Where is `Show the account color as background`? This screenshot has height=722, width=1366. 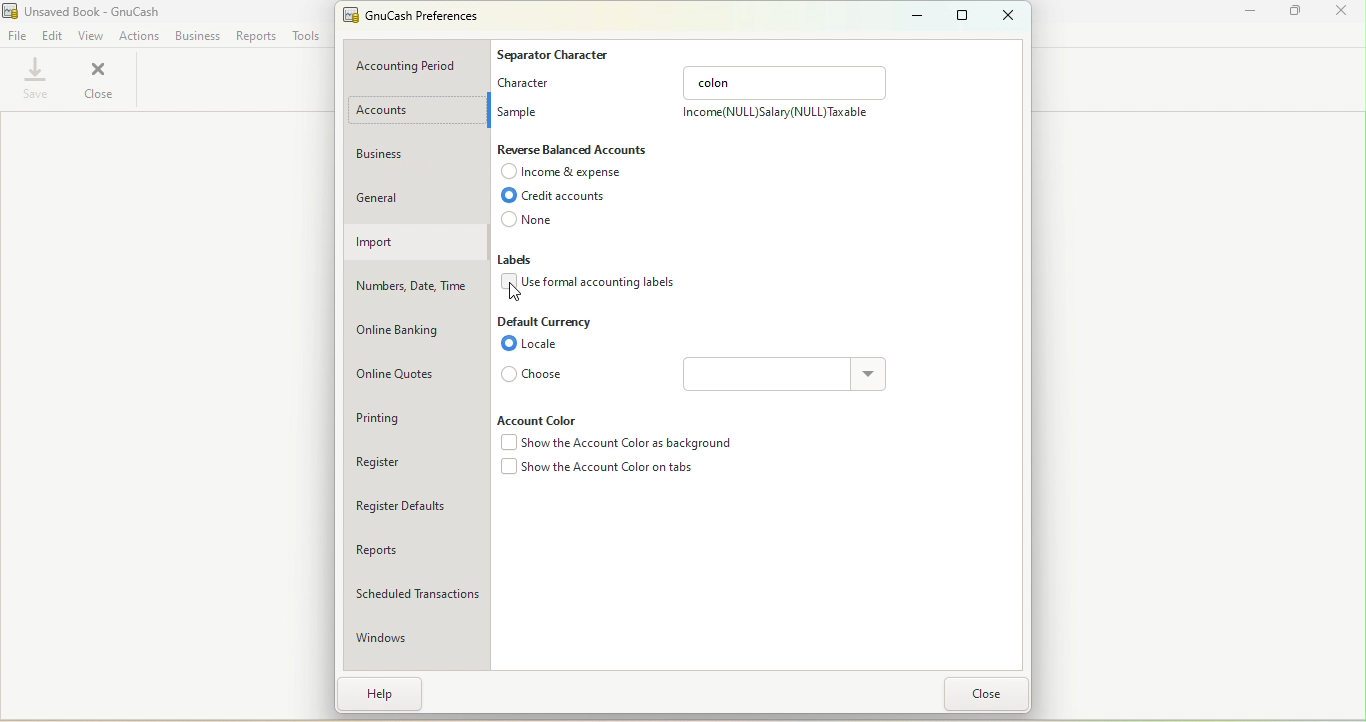 Show the account color as background is located at coordinates (613, 444).